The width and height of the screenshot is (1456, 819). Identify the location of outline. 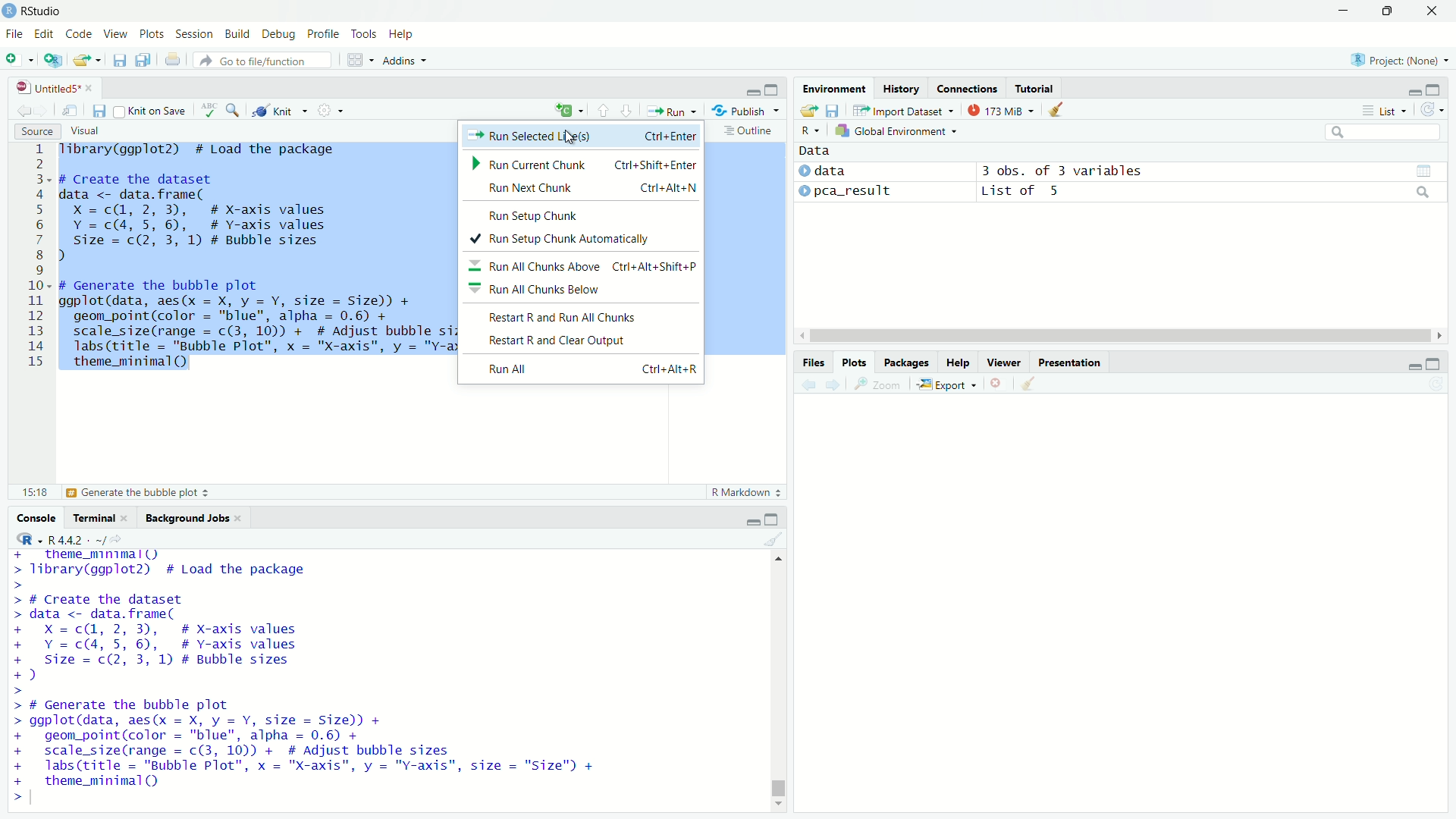
(749, 130).